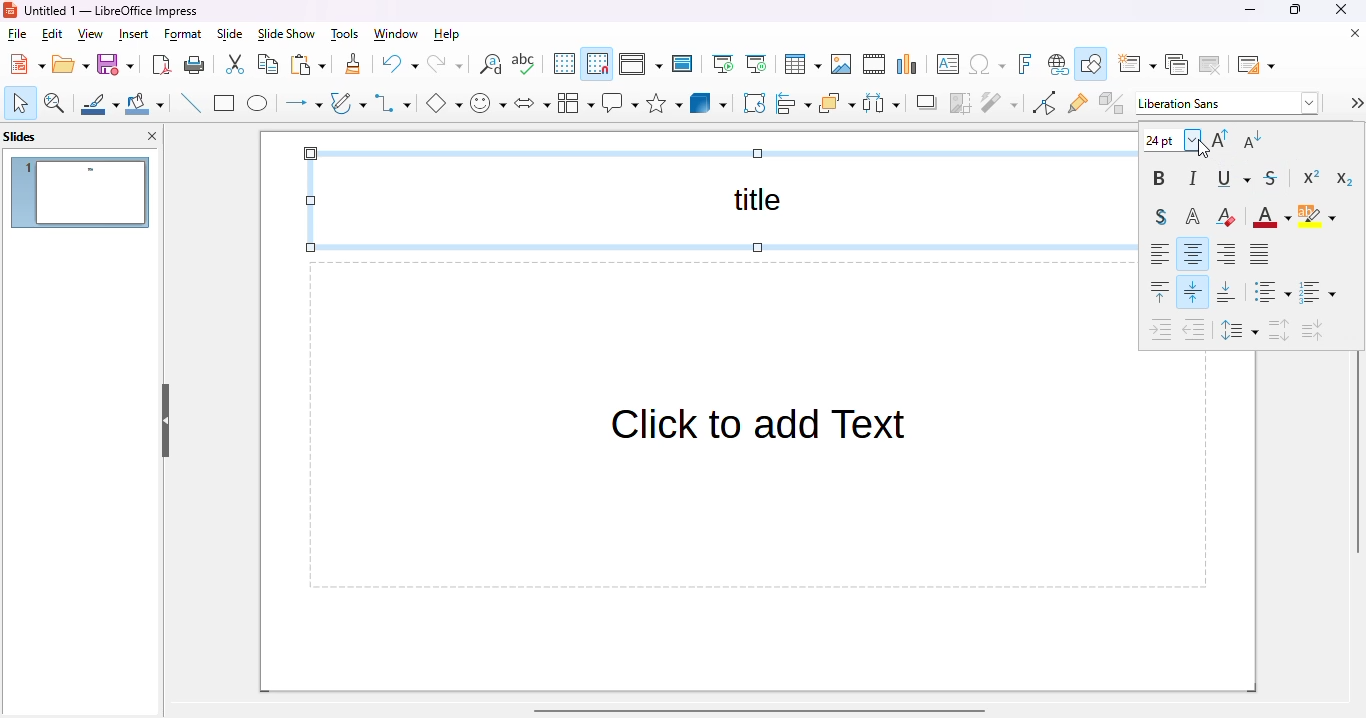 The height and width of the screenshot is (718, 1366). What do you see at coordinates (1272, 179) in the screenshot?
I see `strikethrough` at bounding box center [1272, 179].